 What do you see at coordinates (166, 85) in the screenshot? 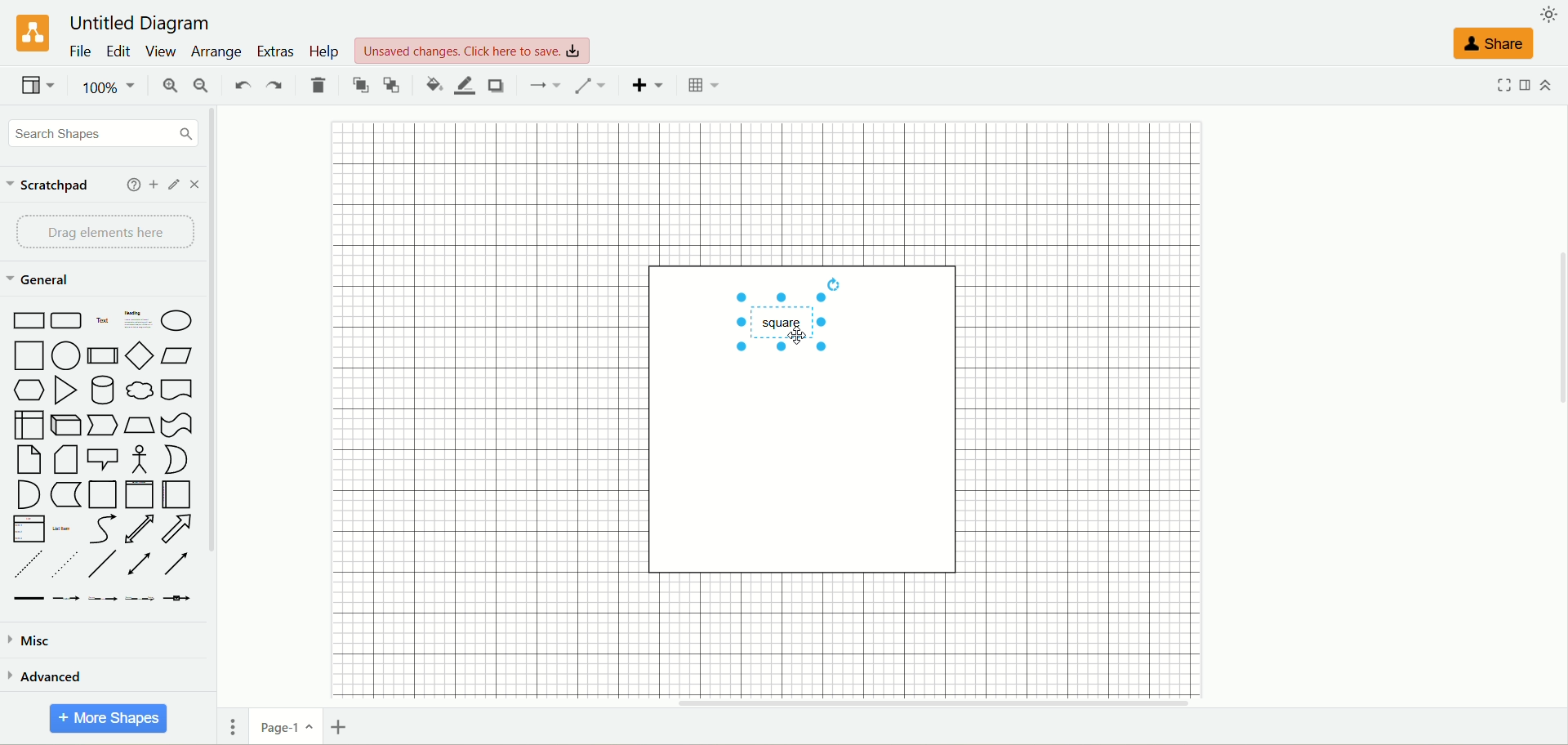
I see `zoom in` at bounding box center [166, 85].